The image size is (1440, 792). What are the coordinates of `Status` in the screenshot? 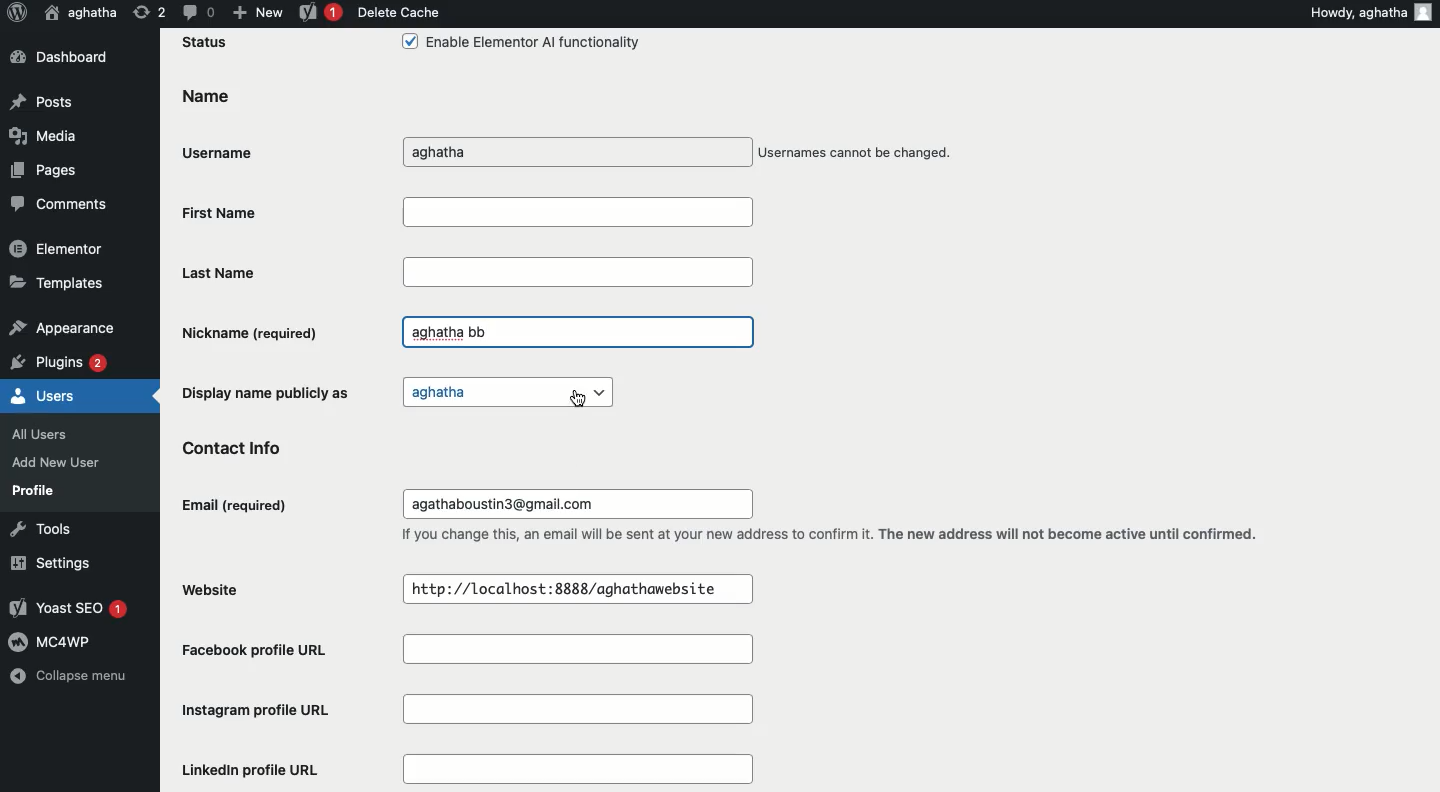 It's located at (206, 43).